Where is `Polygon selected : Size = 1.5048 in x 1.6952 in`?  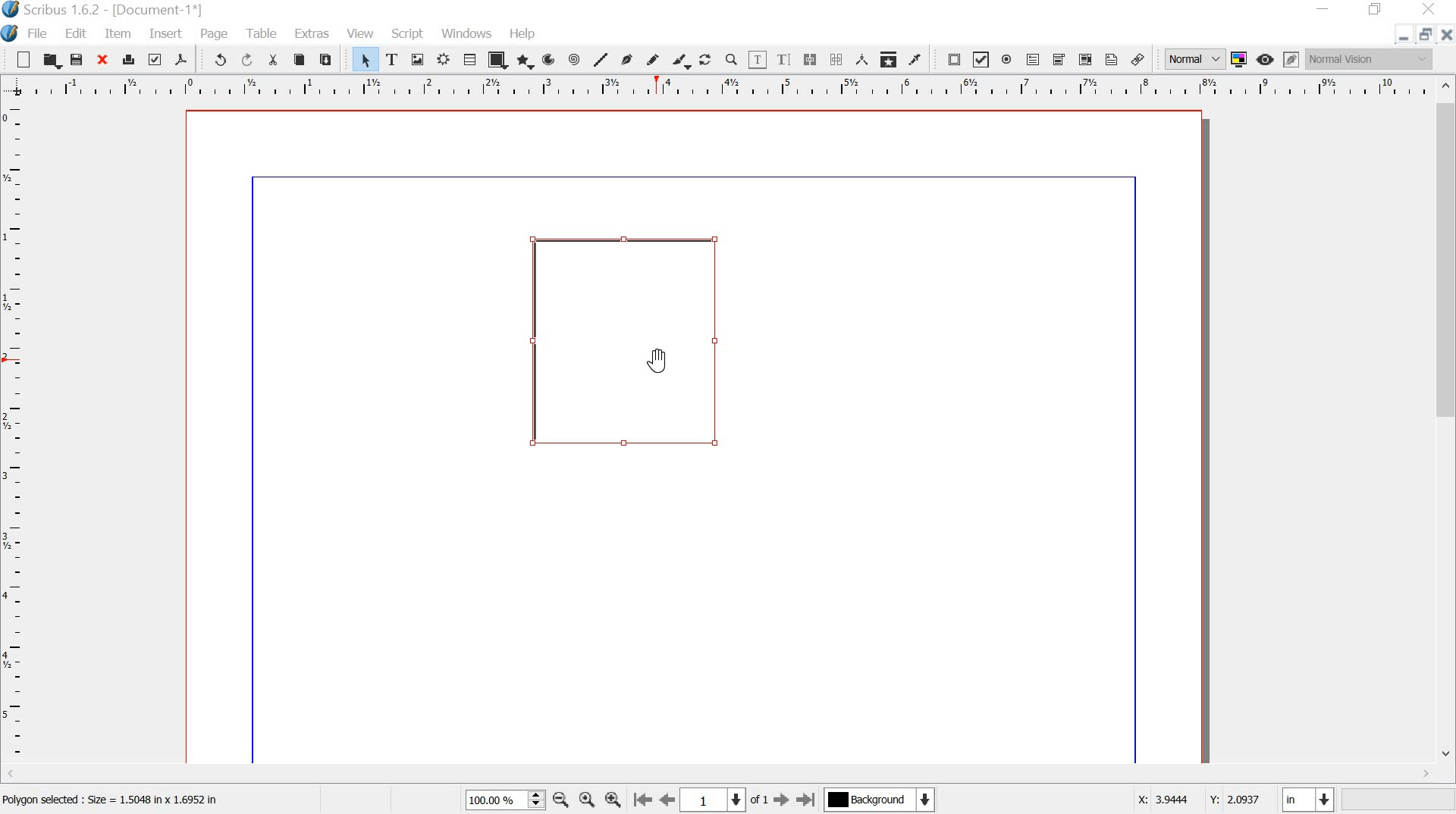
Polygon selected : Size = 1.5048 in x 1.6952 in is located at coordinates (115, 803).